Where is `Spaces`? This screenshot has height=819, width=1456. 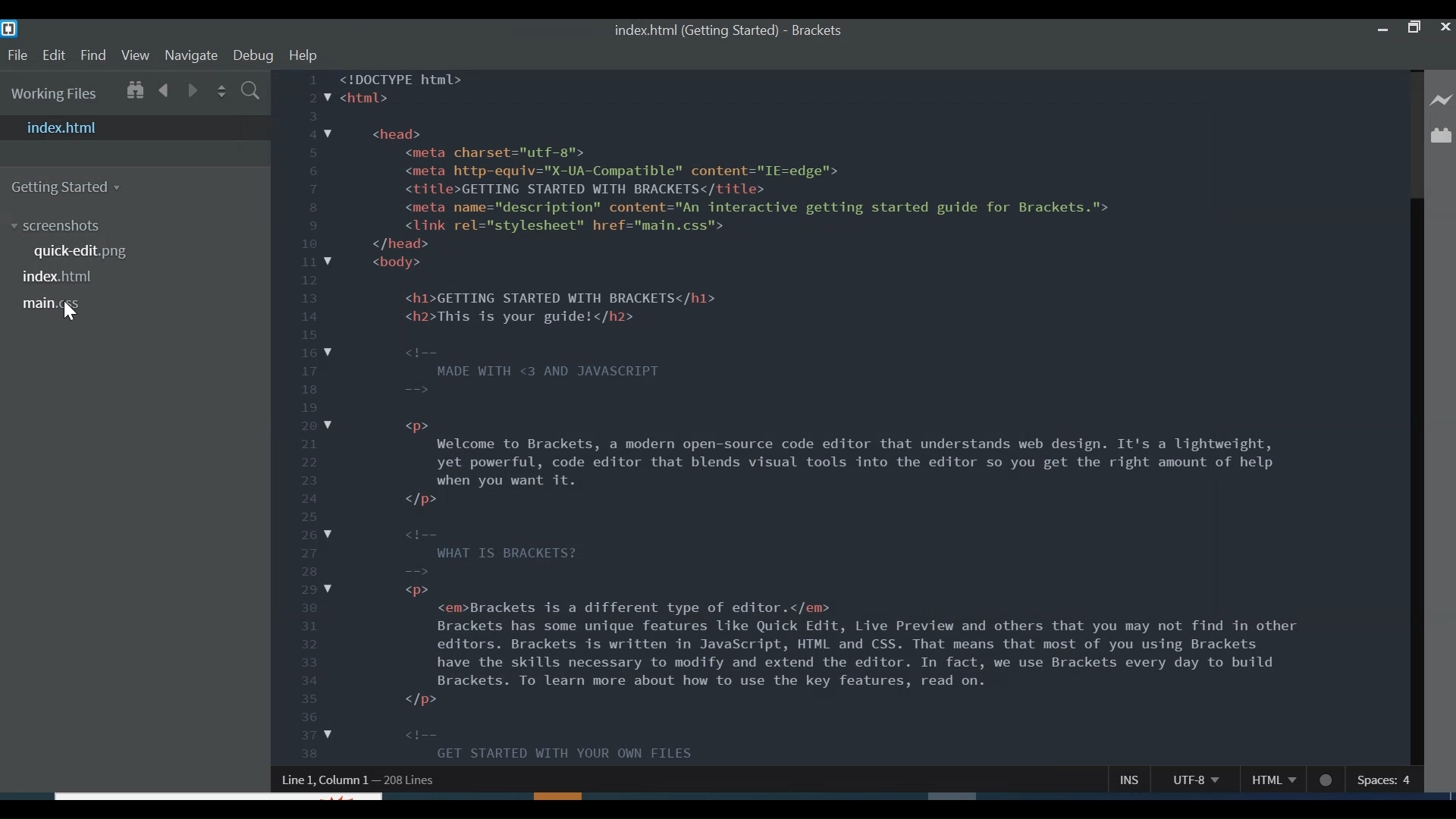 Spaces is located at coordinates (1385, 781).